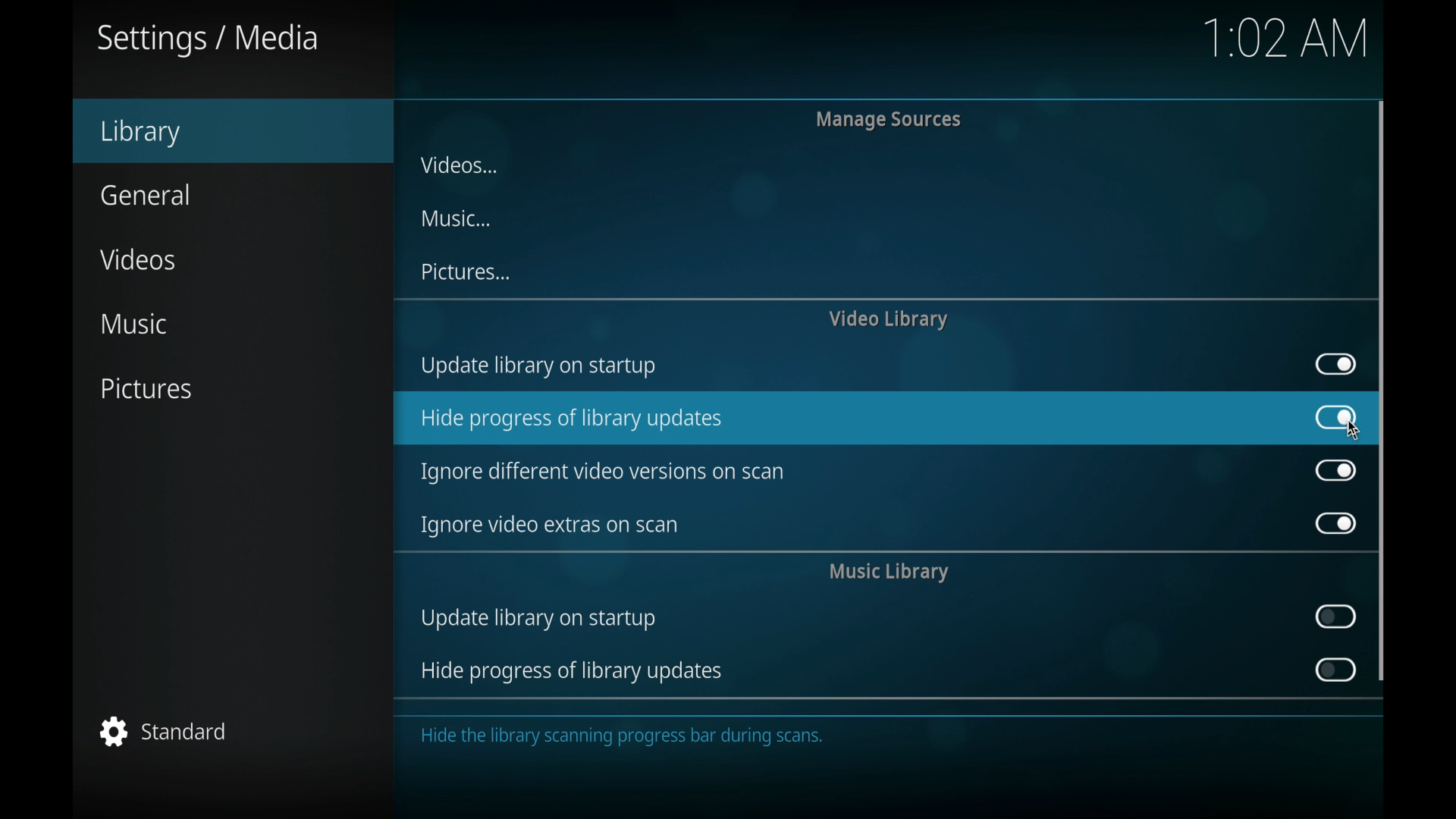  Describe the element at coordinates (146, 389) in the screenshot. I see `pictures` at that location.